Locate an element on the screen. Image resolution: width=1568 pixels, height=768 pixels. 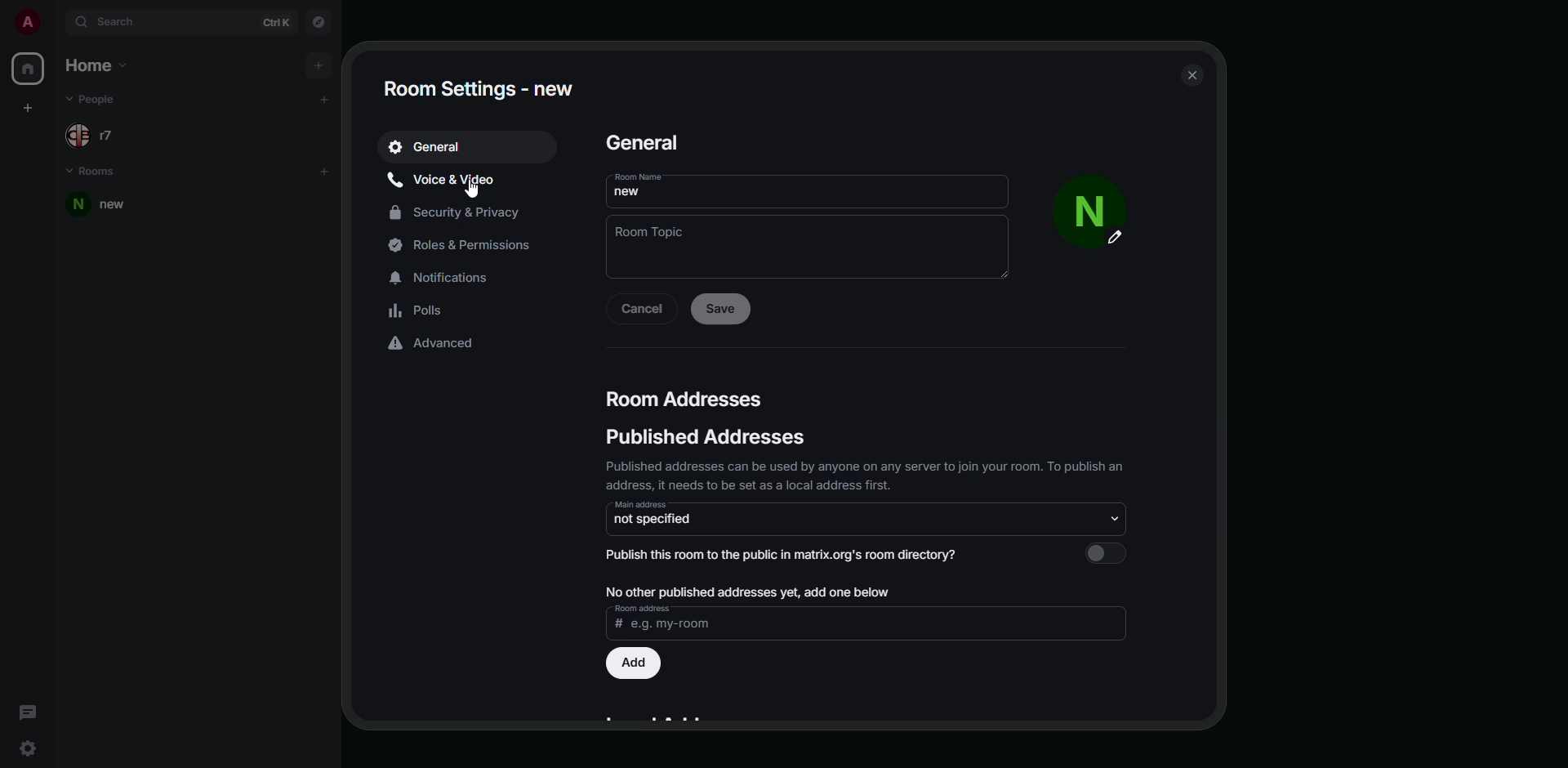
Publish this room to the public in matrix.org's room directory? is located at coordinates (786, 558).